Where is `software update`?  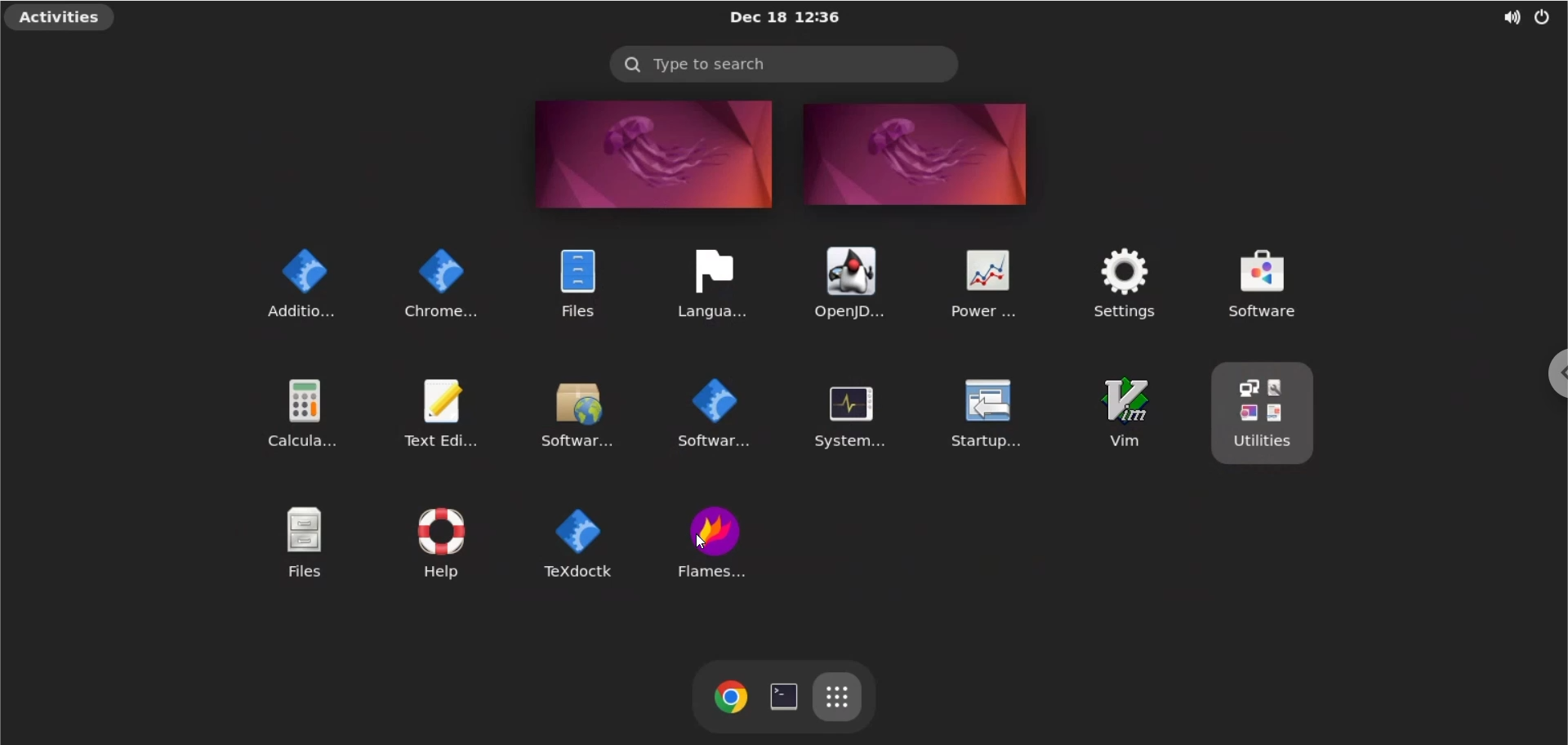 software update is located at coordinates (581, 410).